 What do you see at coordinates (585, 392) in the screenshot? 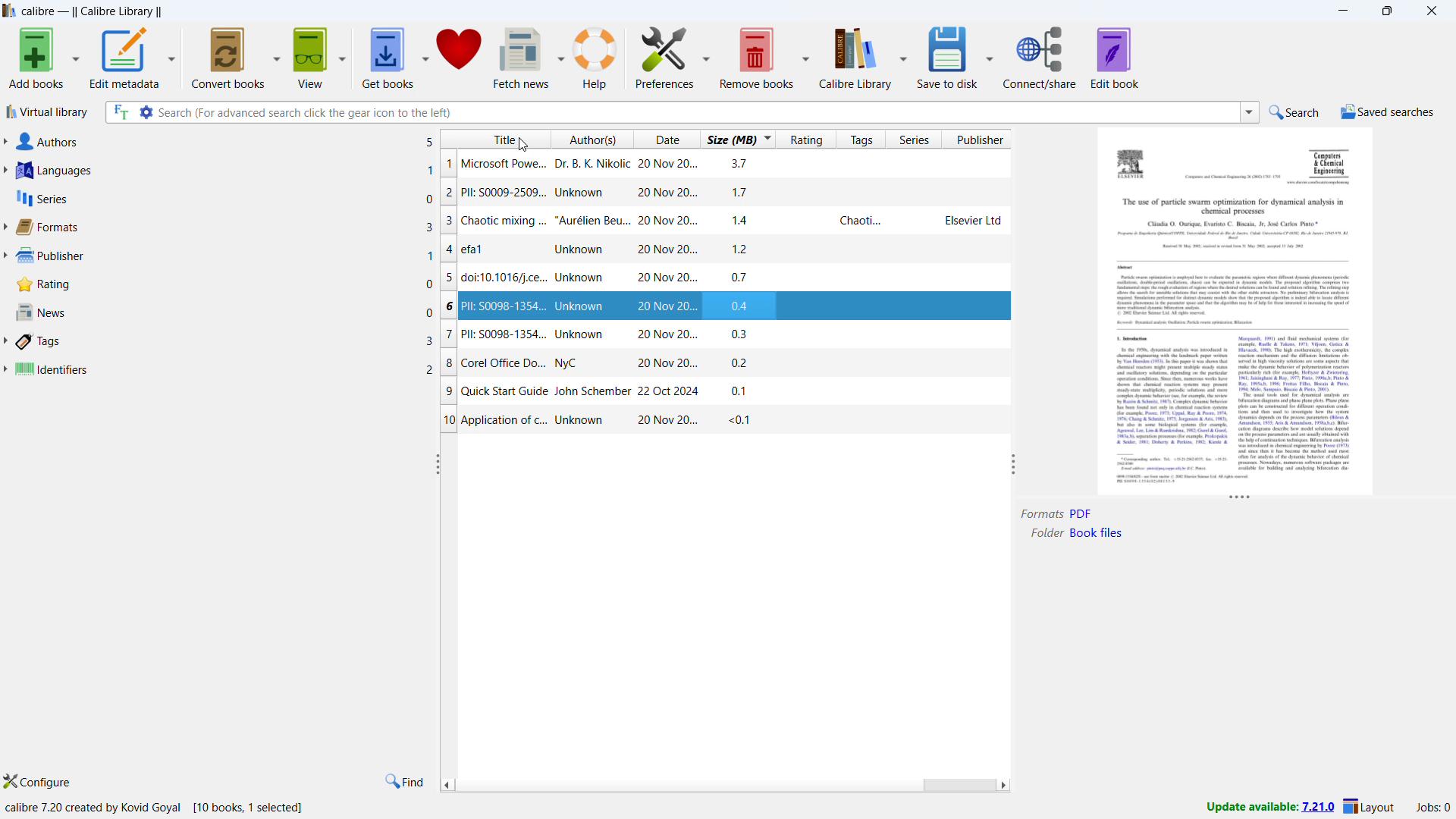
I see `Quick Start Guide John Schember 22 Oct 2024` at bounding box center [585, 392].